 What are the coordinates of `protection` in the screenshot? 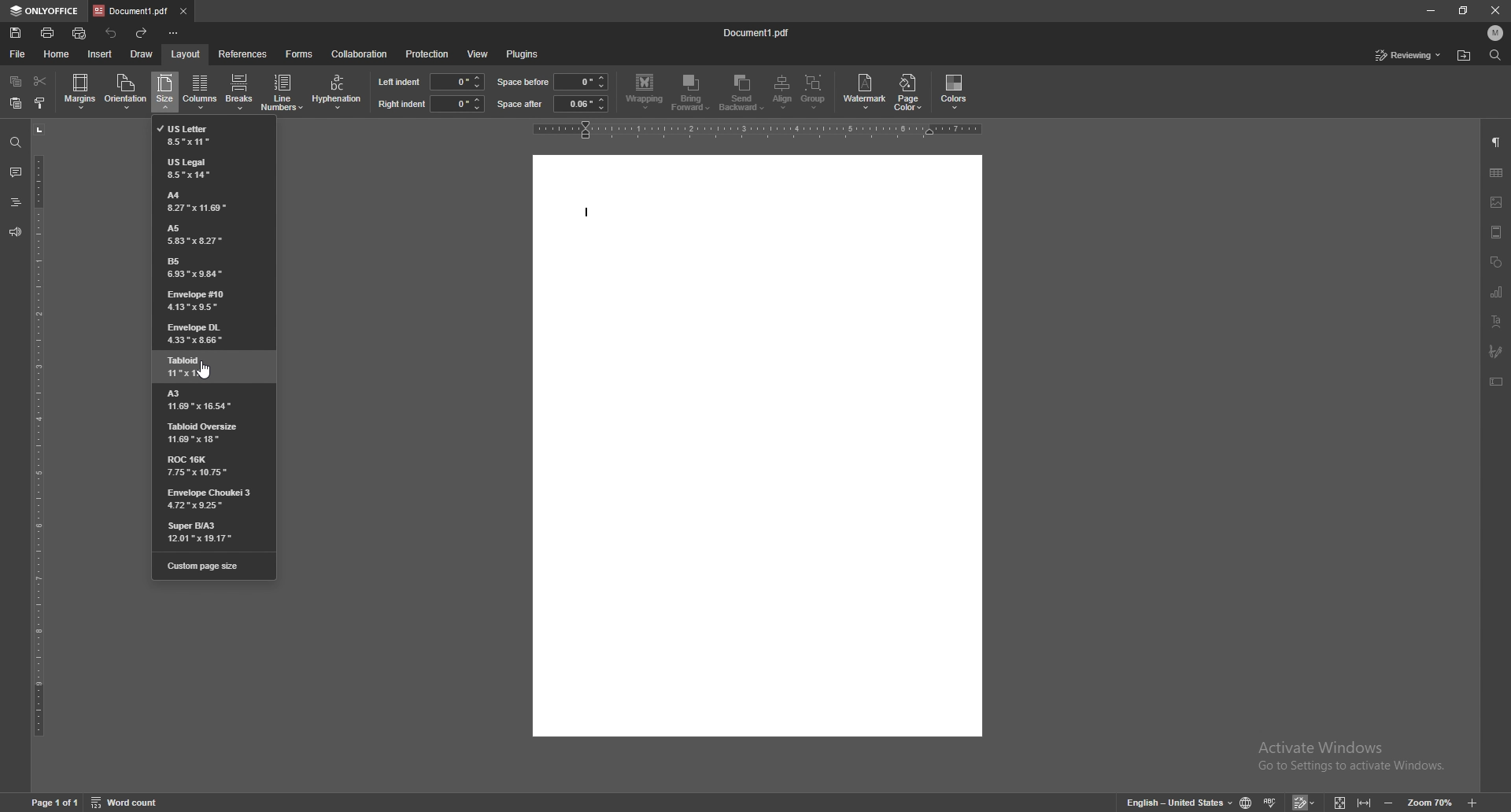 It's located at (427, 54).